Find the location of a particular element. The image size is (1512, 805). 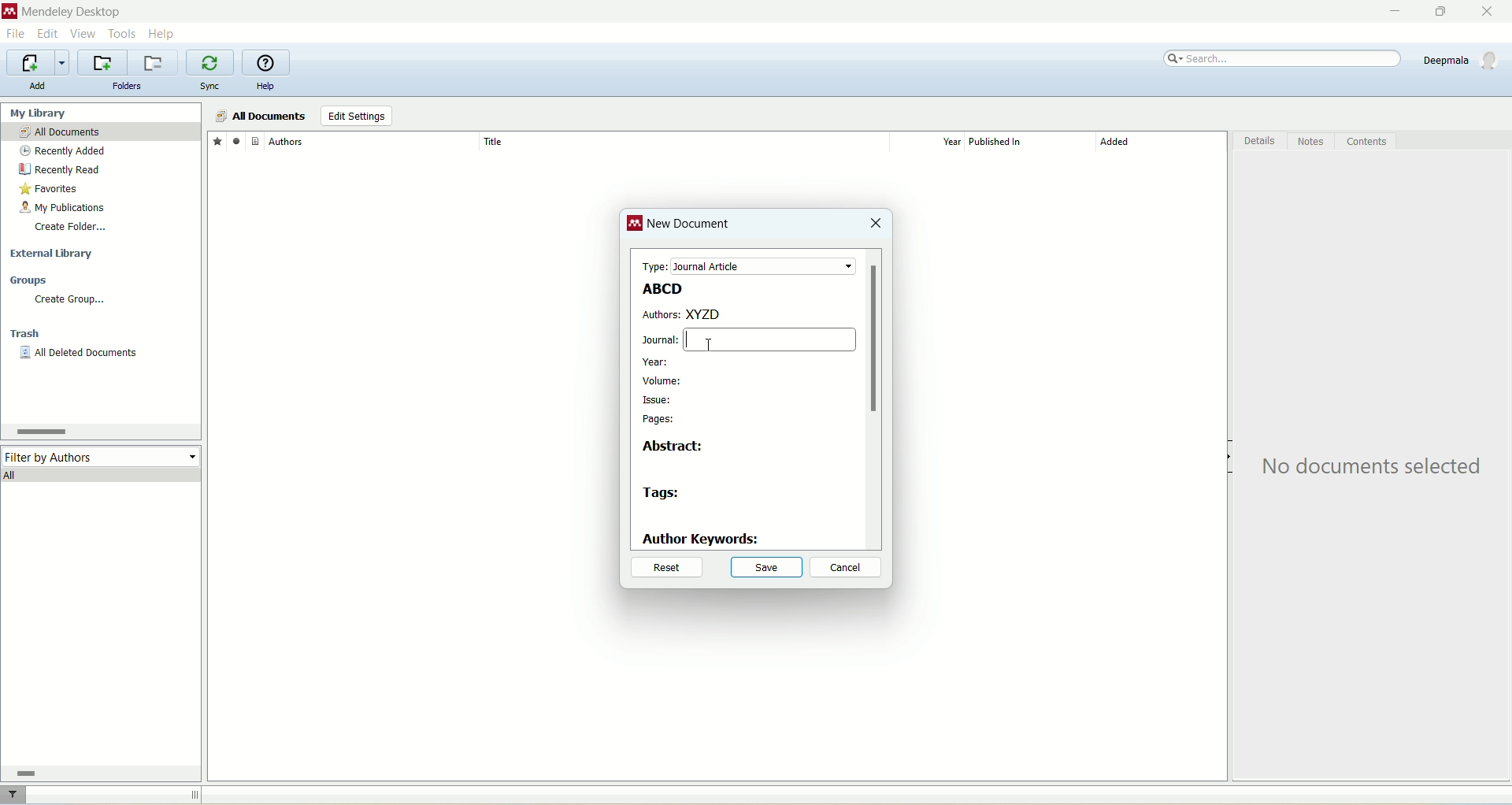

volume is located at coordinates (667, 380).